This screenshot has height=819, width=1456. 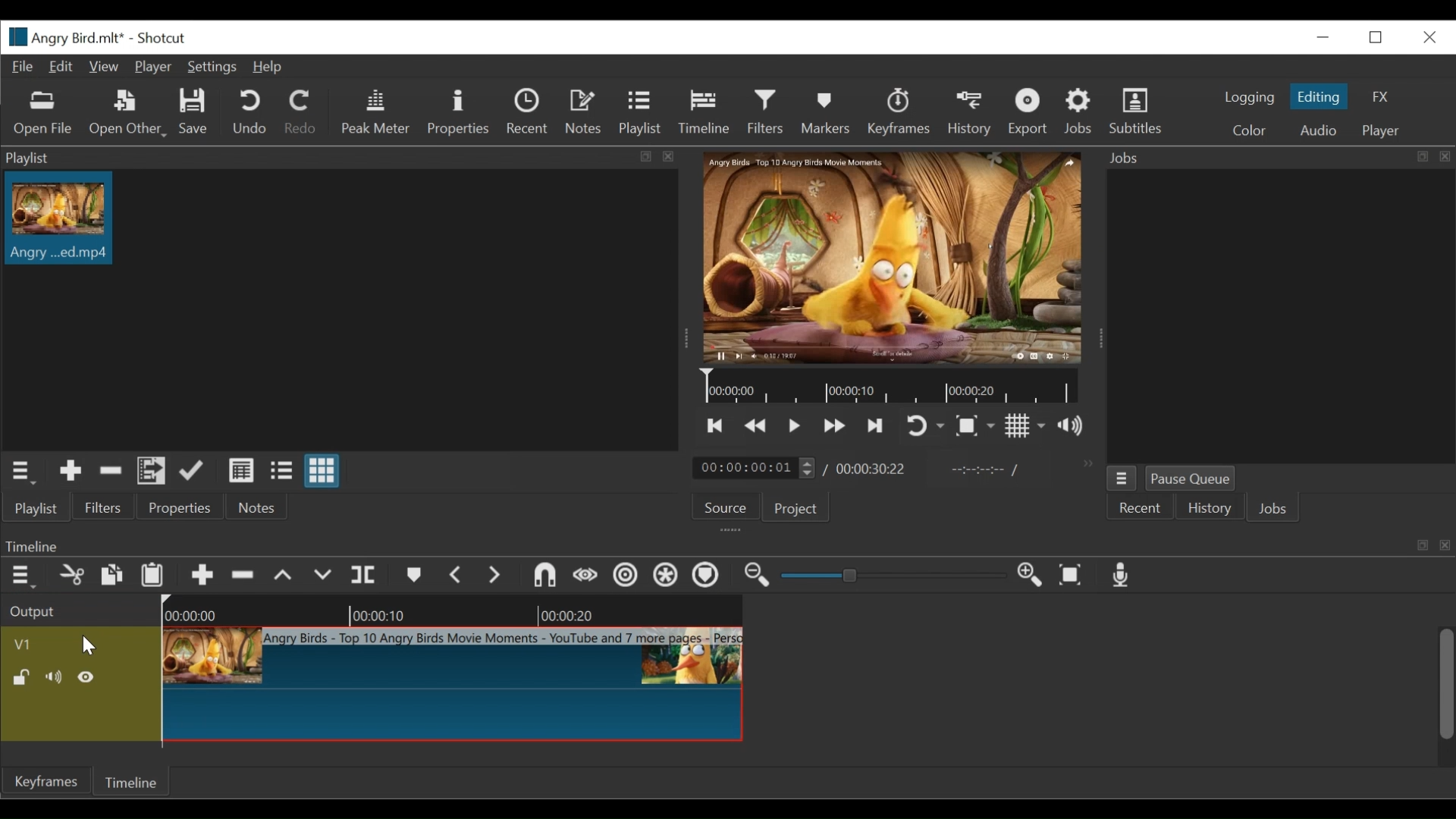 What do you see at coordinates (78, 644) in the screenshot?
I see `Video track` at bounding box center [78, 644].